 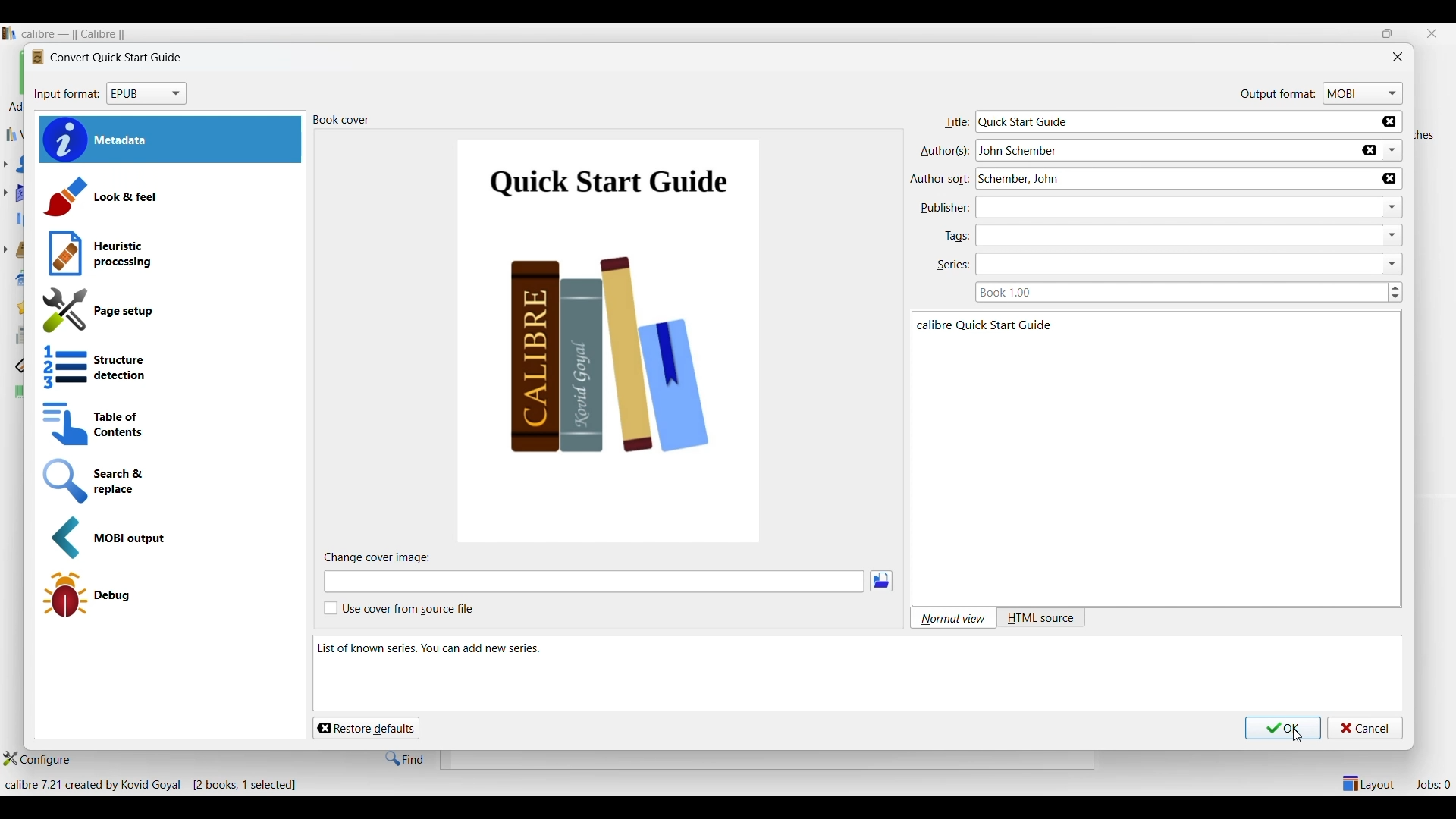 I want to click on Type in author, so click(x=1163, y=150).